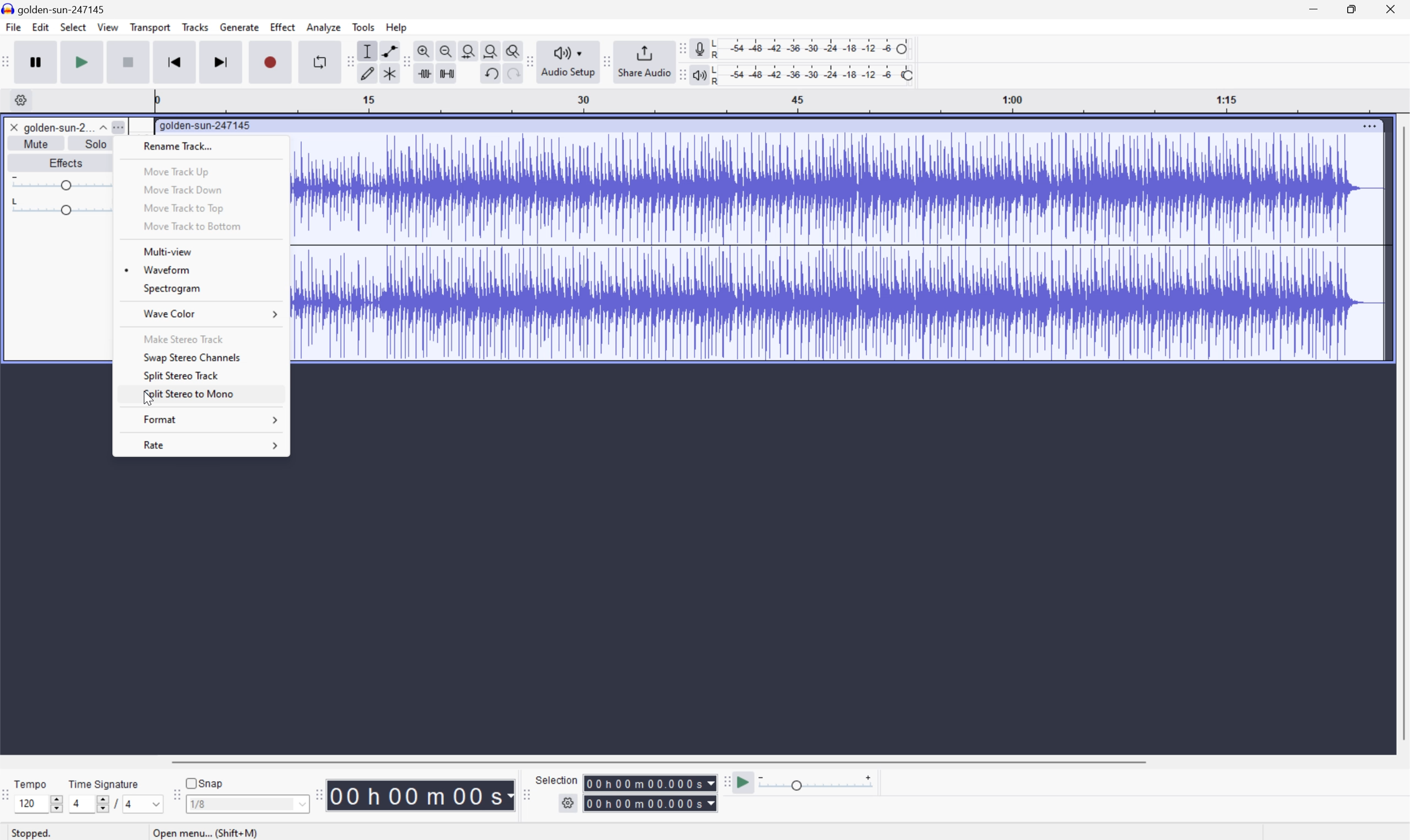 The height and width of the screenshot is (840, 1410). Describe the element at coordinates (511, 49) in the screenshot. I see `Zoom toggle` at that location.